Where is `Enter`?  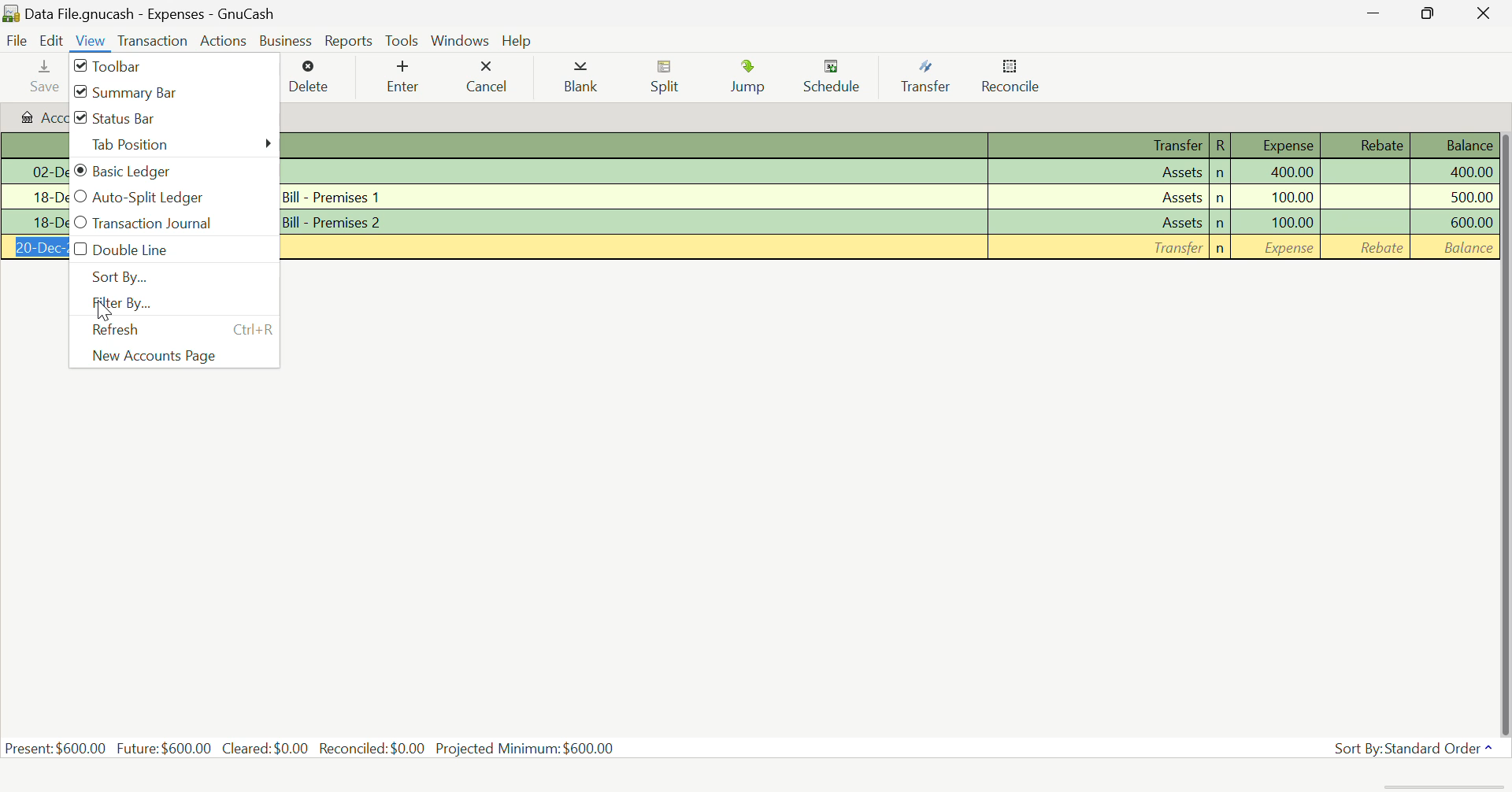
Enter is located at coordinates (406, 76).